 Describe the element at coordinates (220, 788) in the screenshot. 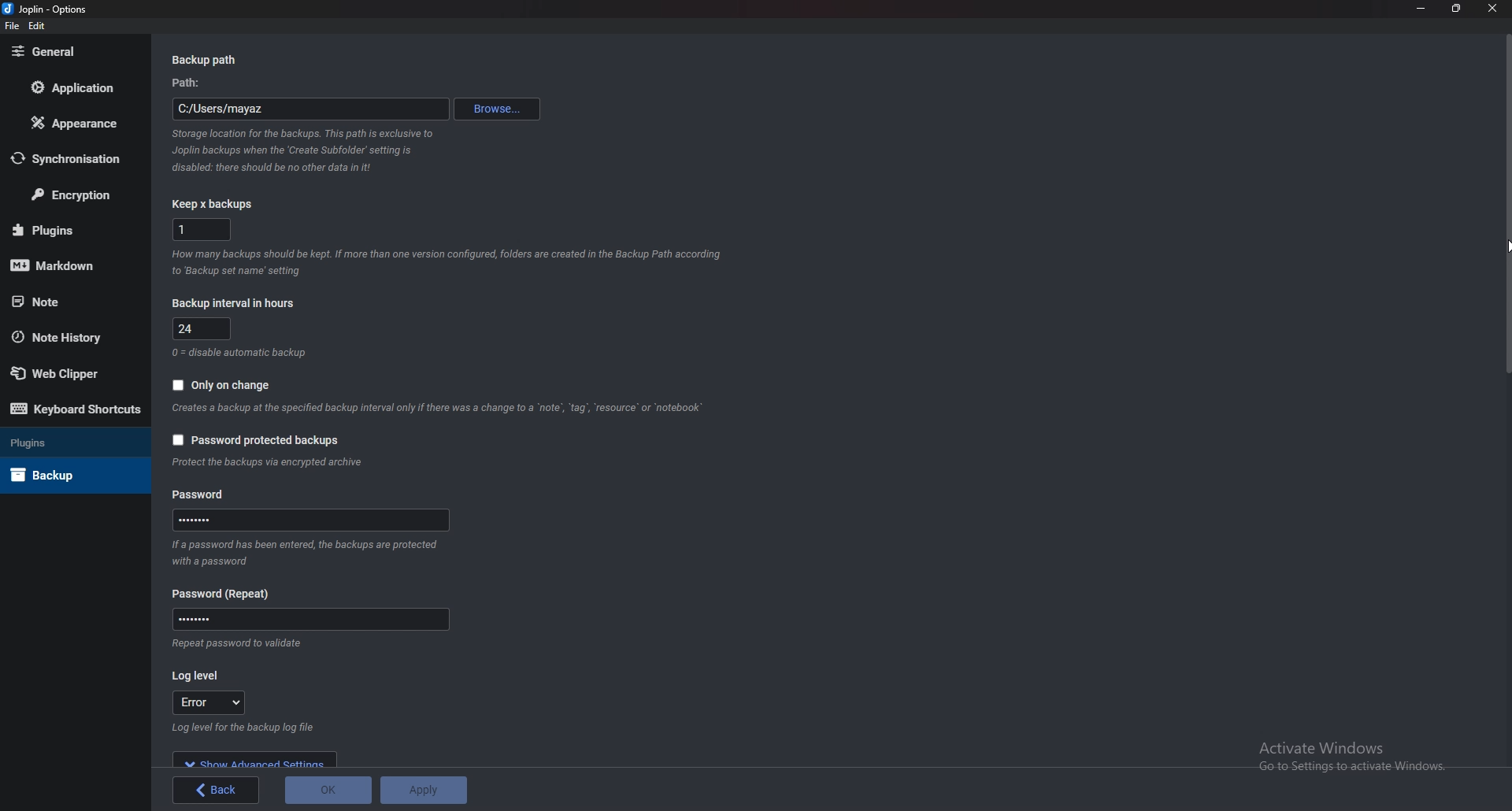

I see `back` at that location.